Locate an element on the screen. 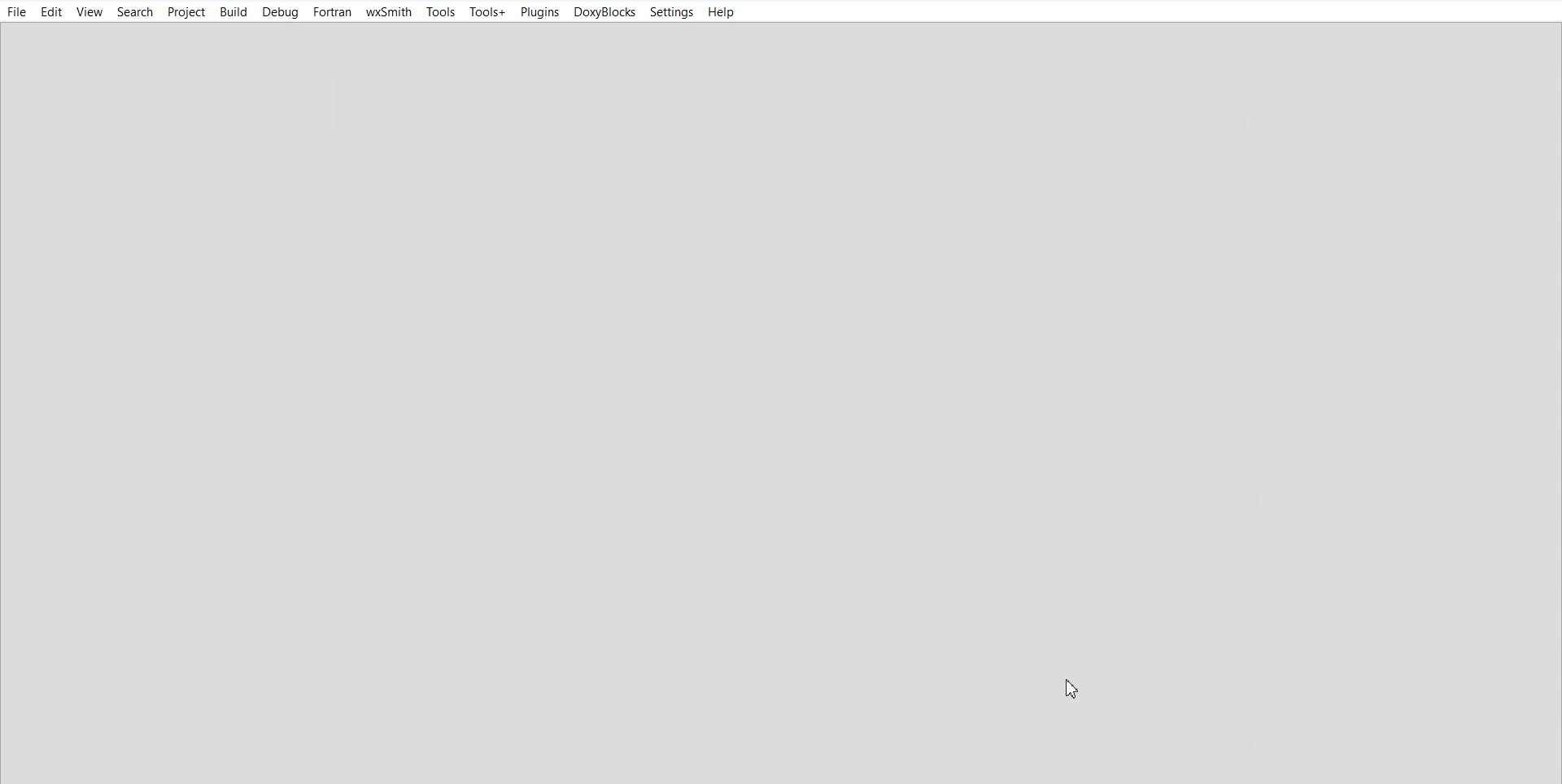 The width and height of the screenshot is (1562, 784). Project is located at coordinates (187, 12).